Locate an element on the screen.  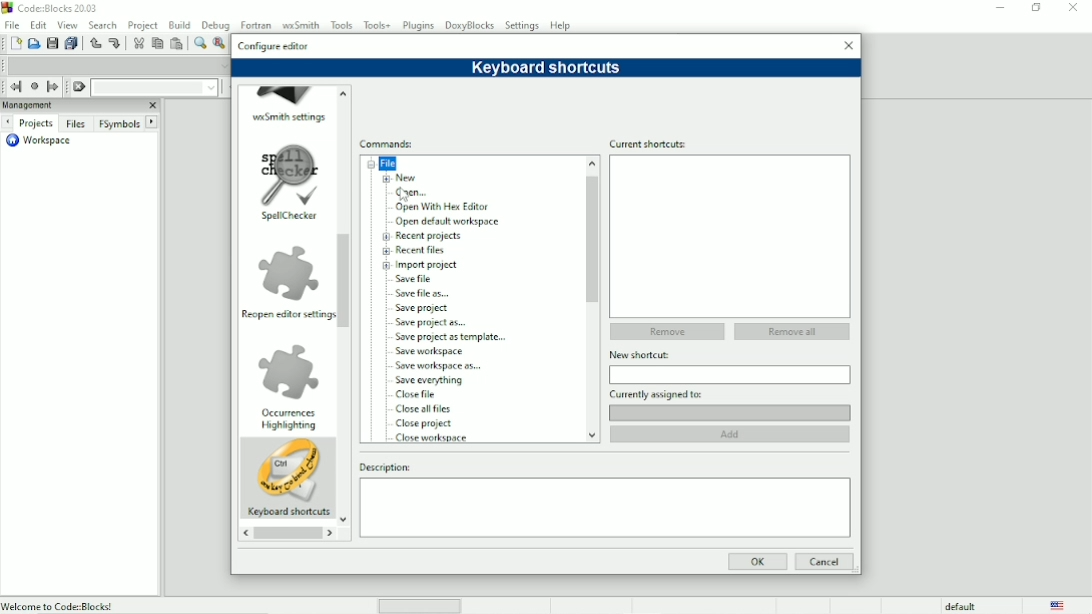
Image is located at coordinates (289, 471).